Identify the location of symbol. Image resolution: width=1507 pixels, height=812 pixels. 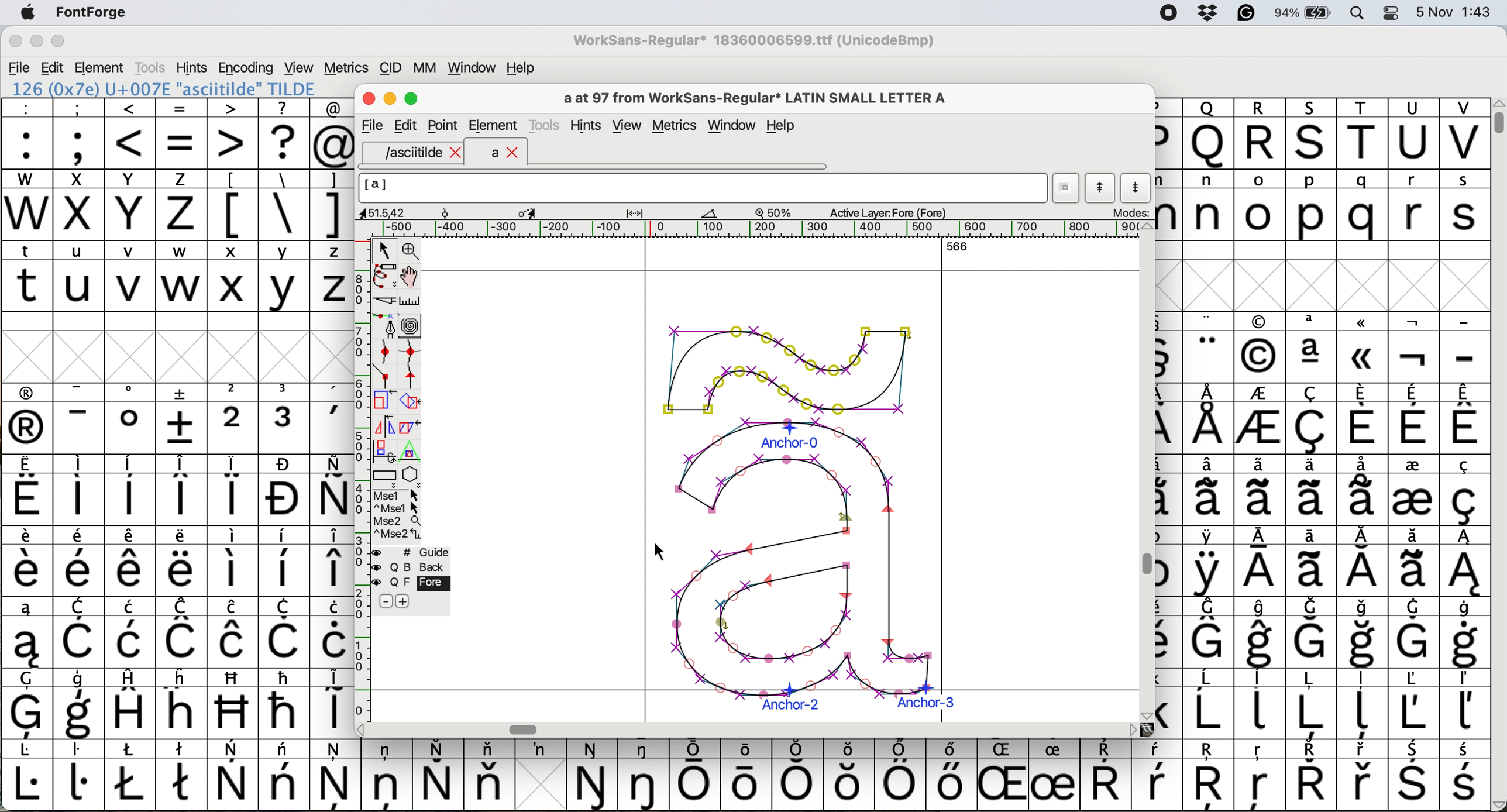
(1365, 634).